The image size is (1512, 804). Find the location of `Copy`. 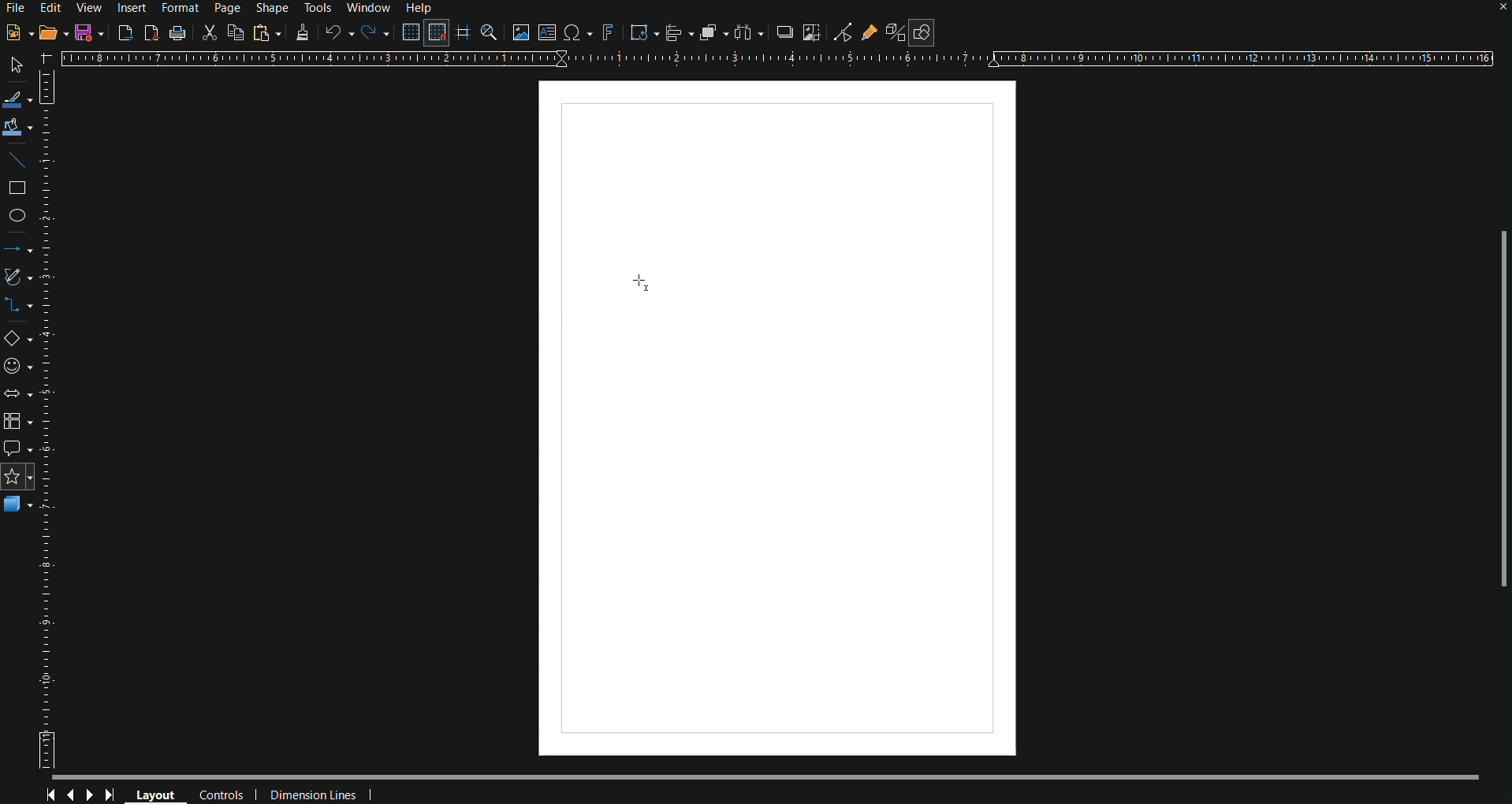

Copy is located at coordinates (234, 33).